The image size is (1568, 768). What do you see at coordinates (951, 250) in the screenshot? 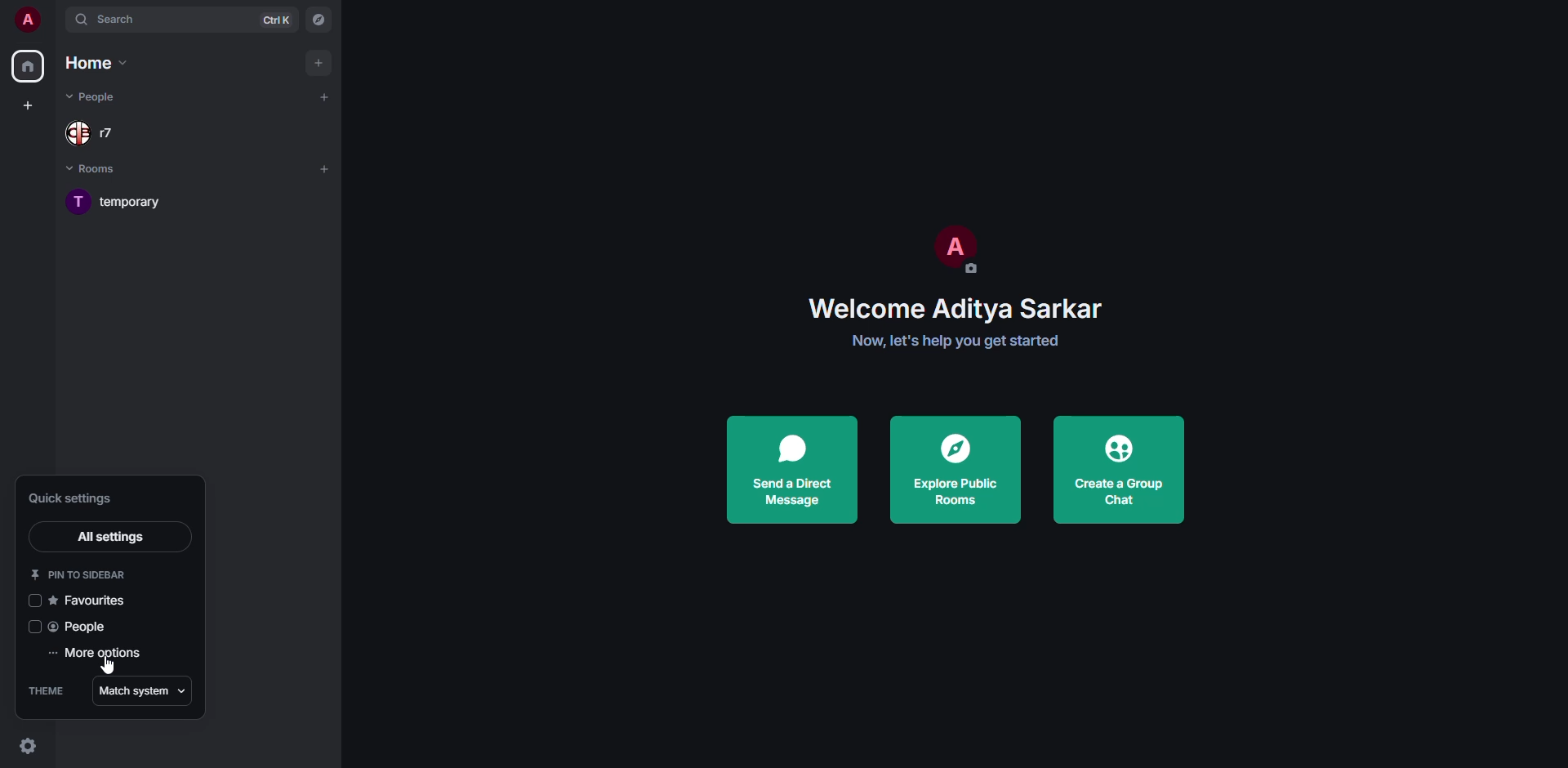
I see `profile pic` at bounding box center [951, 250].